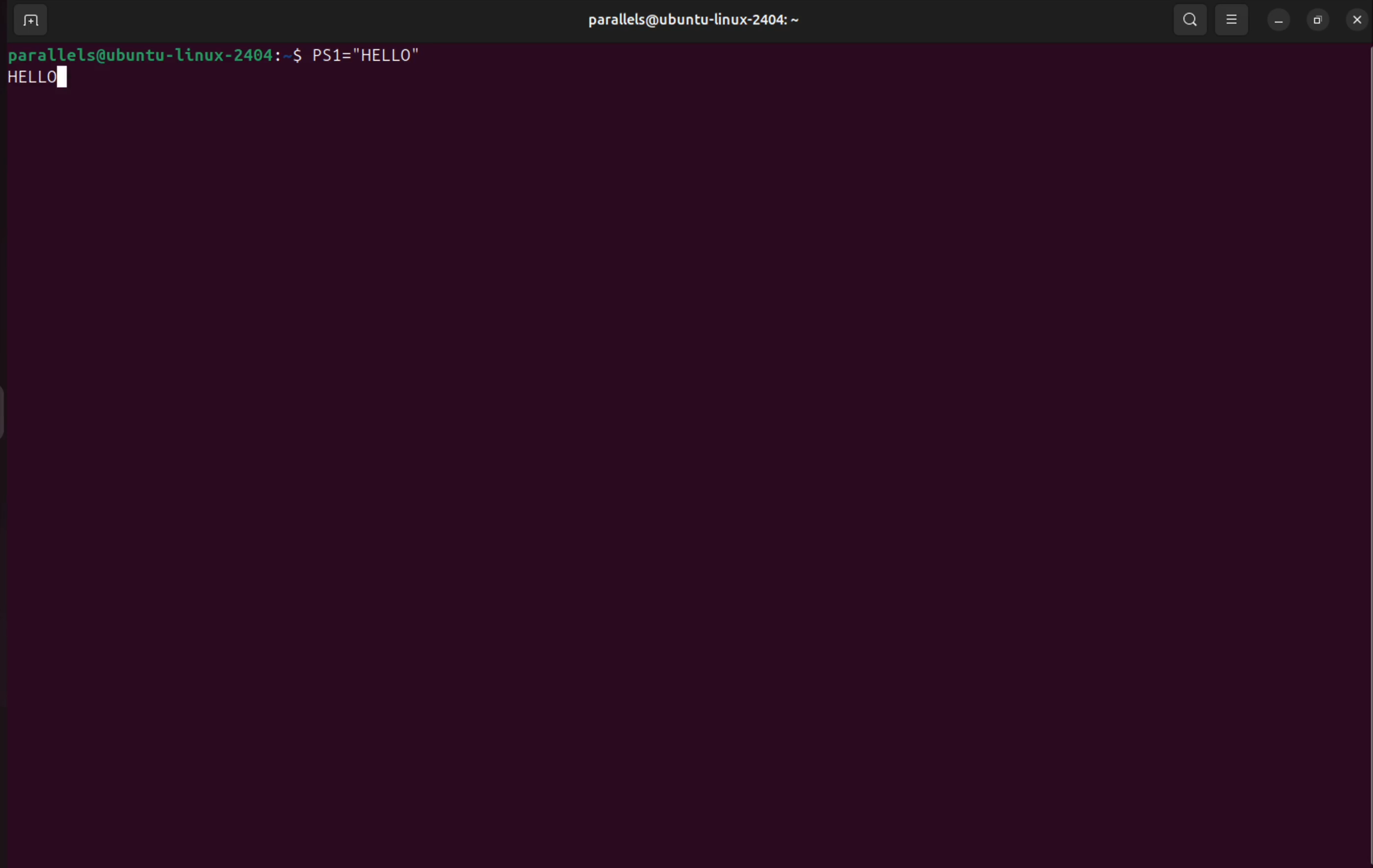  What do you see at coordinates (1187, 21) in the screenshot?
I see `search` at bounding box center [1187, 21].